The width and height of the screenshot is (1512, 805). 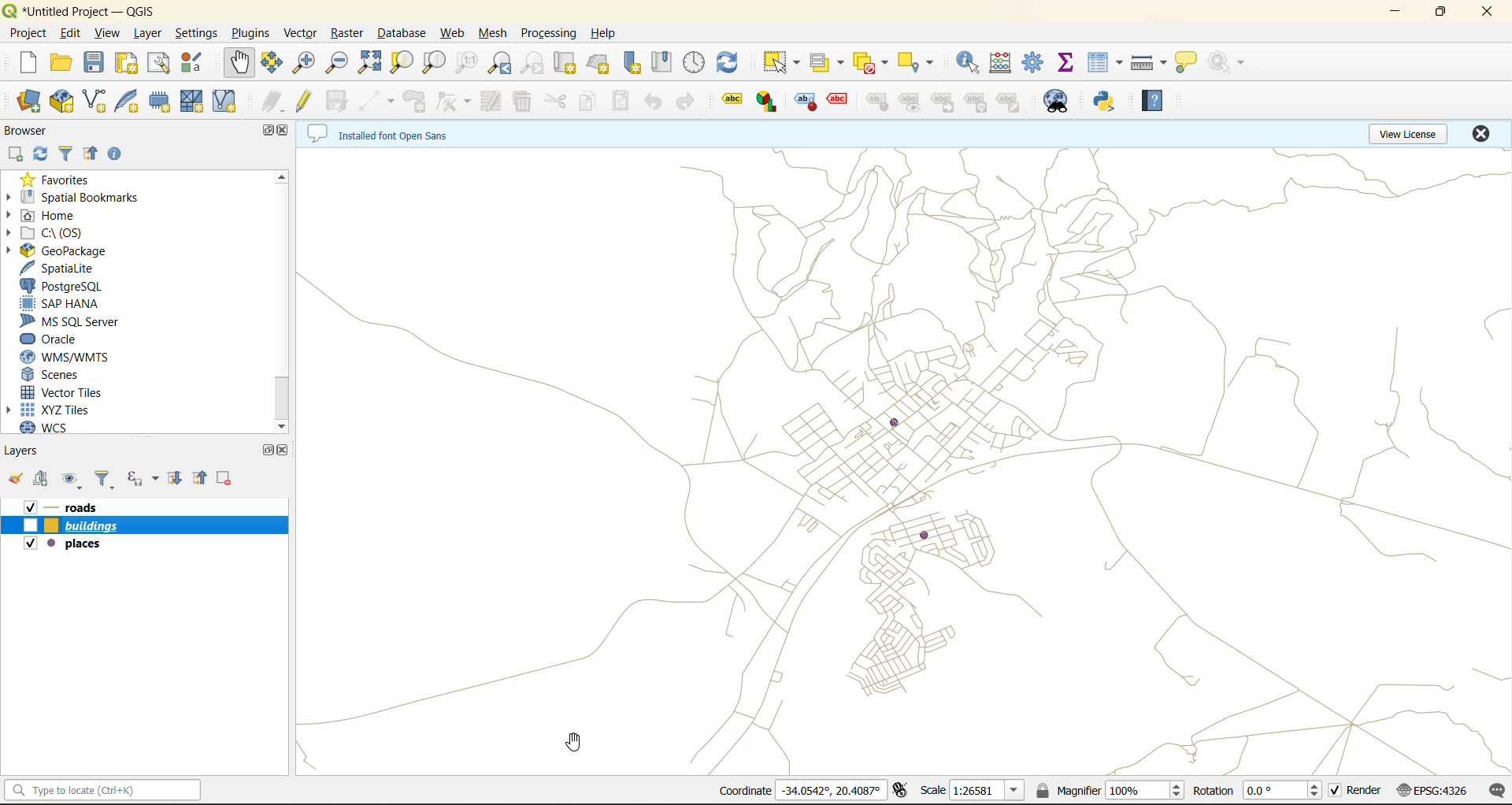 I want to click on filter, so click(x=100, y=478).